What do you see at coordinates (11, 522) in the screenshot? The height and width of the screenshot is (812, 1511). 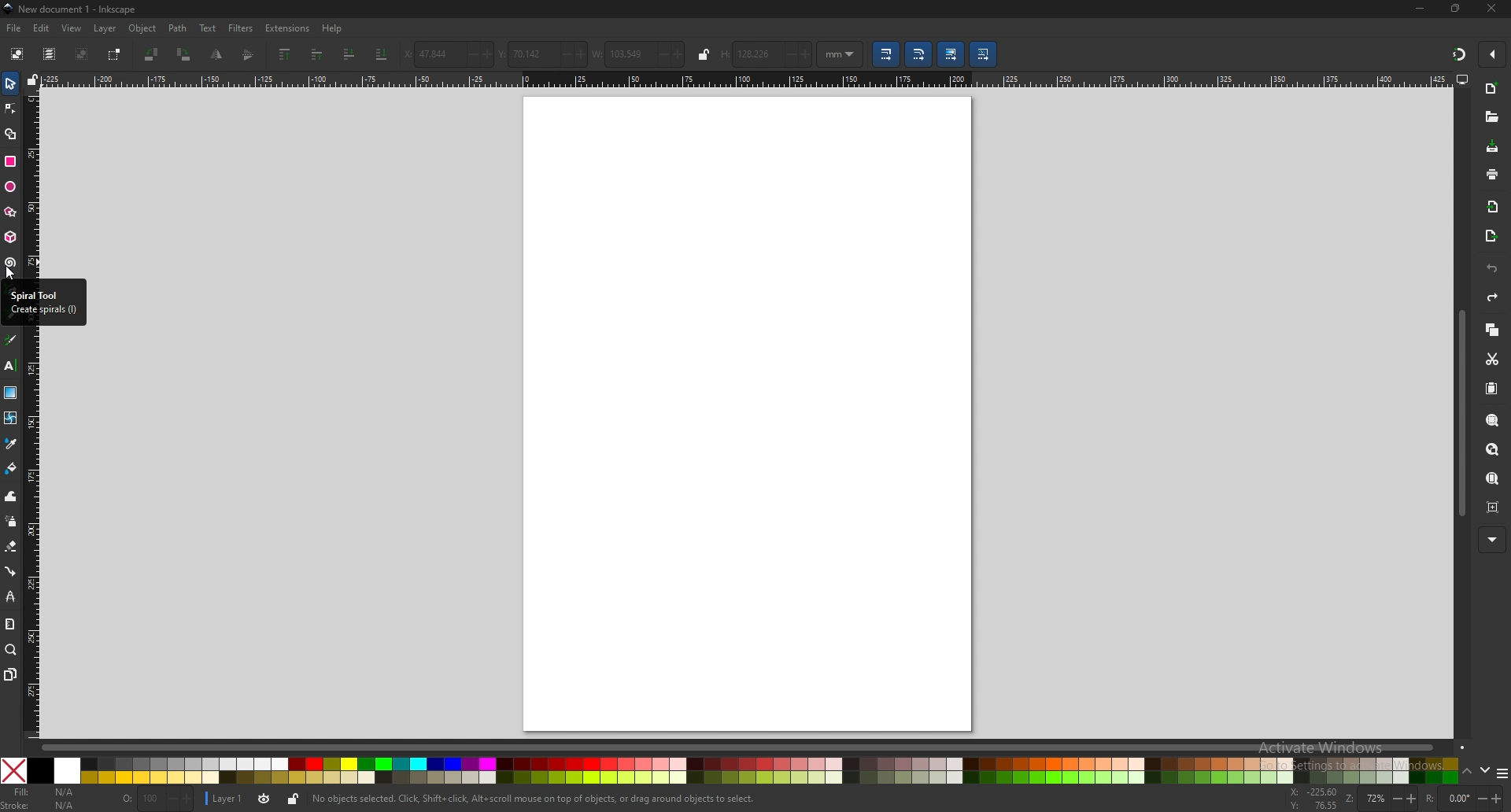 I see `spray` at bounding box center [11, 522].